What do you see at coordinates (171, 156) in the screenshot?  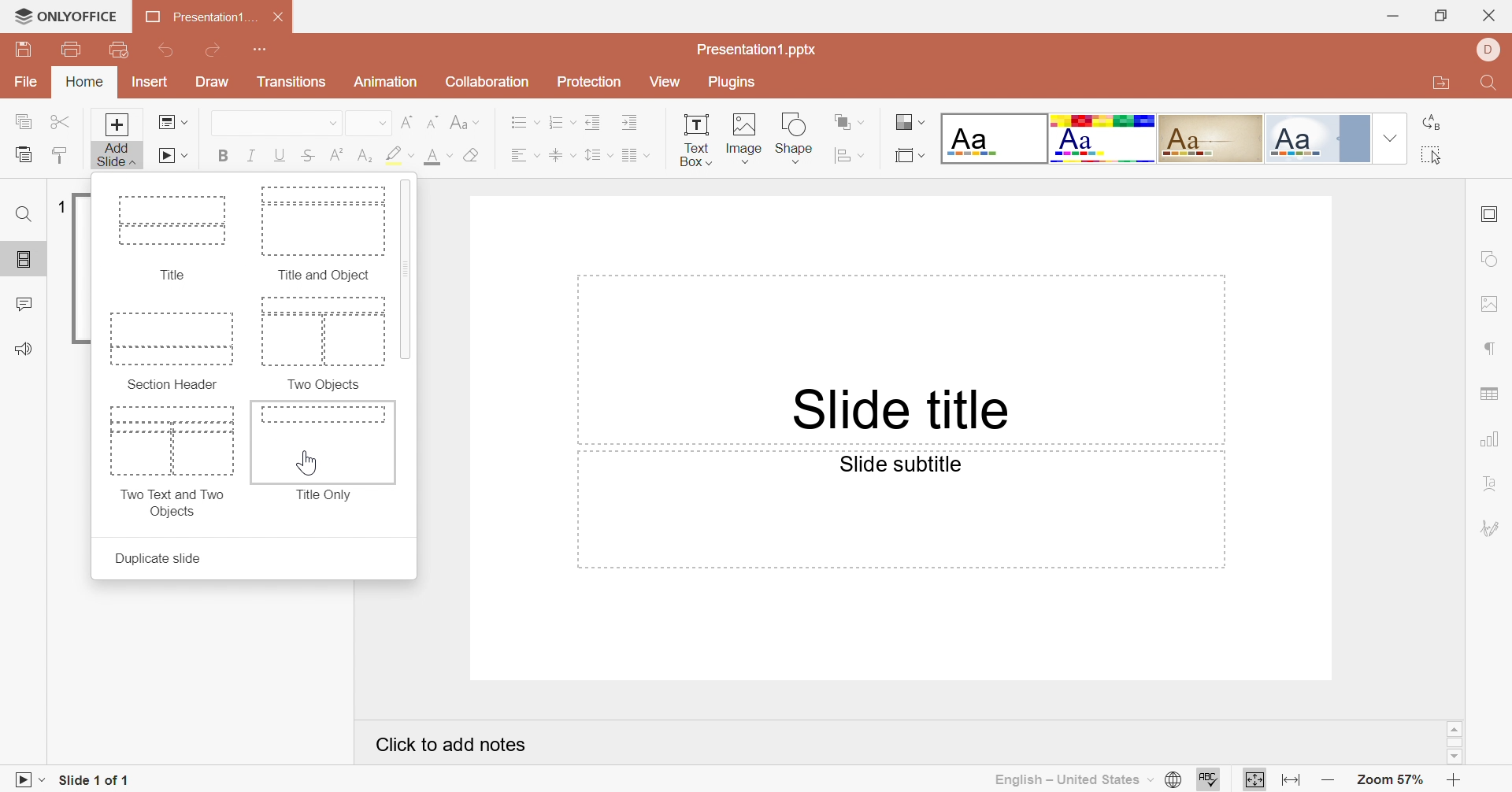 I see `Start slideshow` at bounding box center [171, 156].